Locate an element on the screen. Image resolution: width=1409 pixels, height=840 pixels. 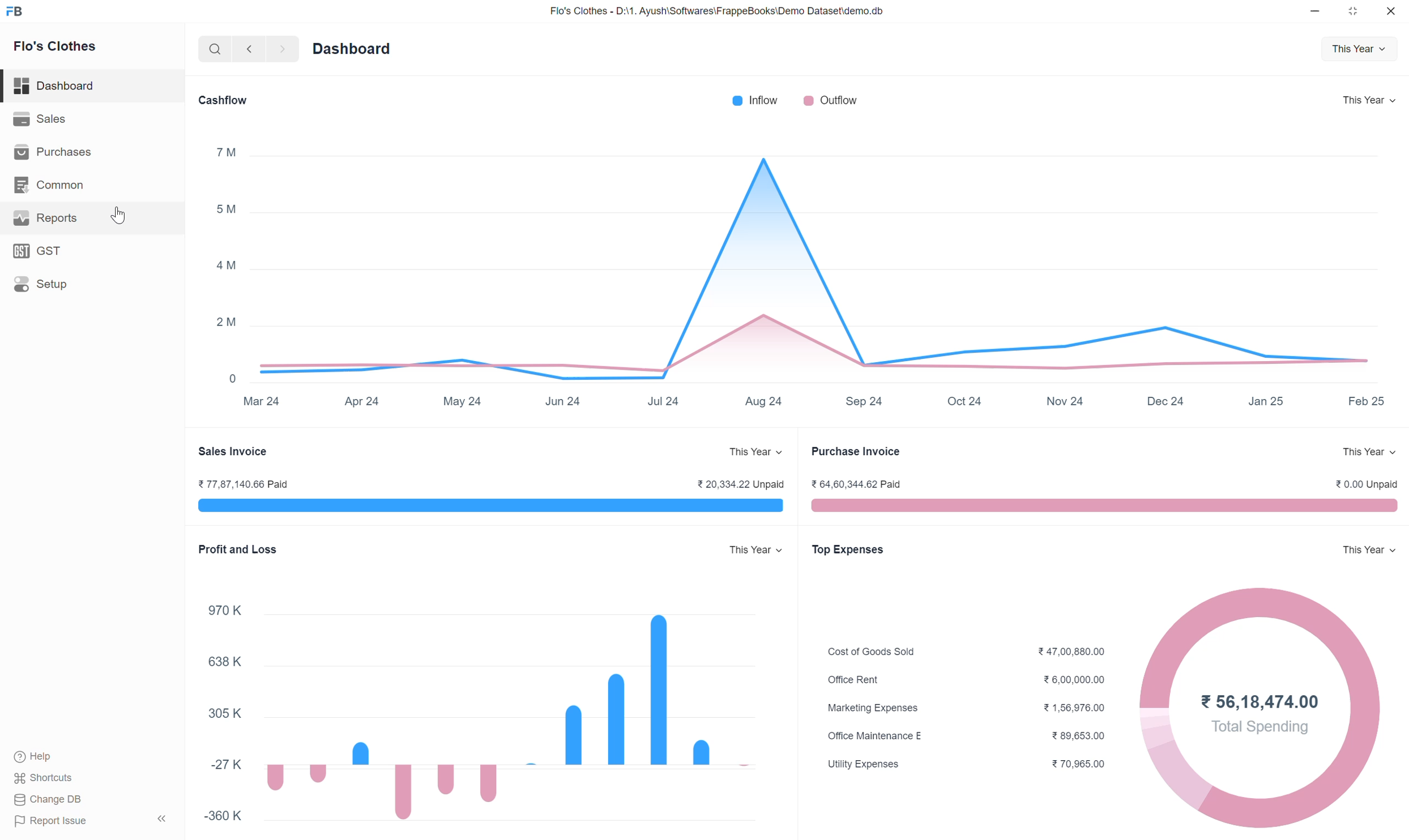
search is located at coordinates (213, 49).